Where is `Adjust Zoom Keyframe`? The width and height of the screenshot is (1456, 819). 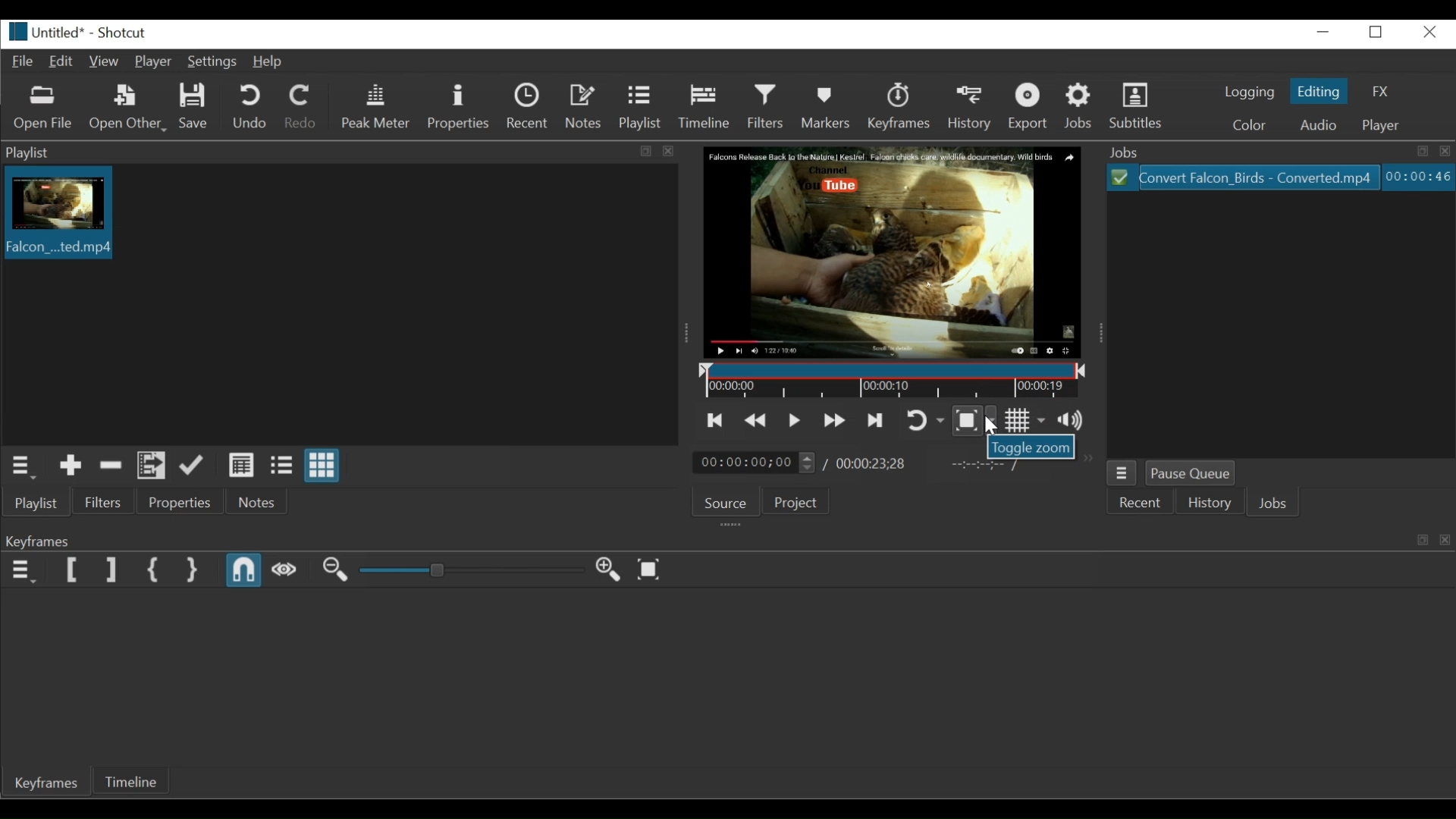
Adjust Zoom Keyframe is located at coordinates (472, 570).